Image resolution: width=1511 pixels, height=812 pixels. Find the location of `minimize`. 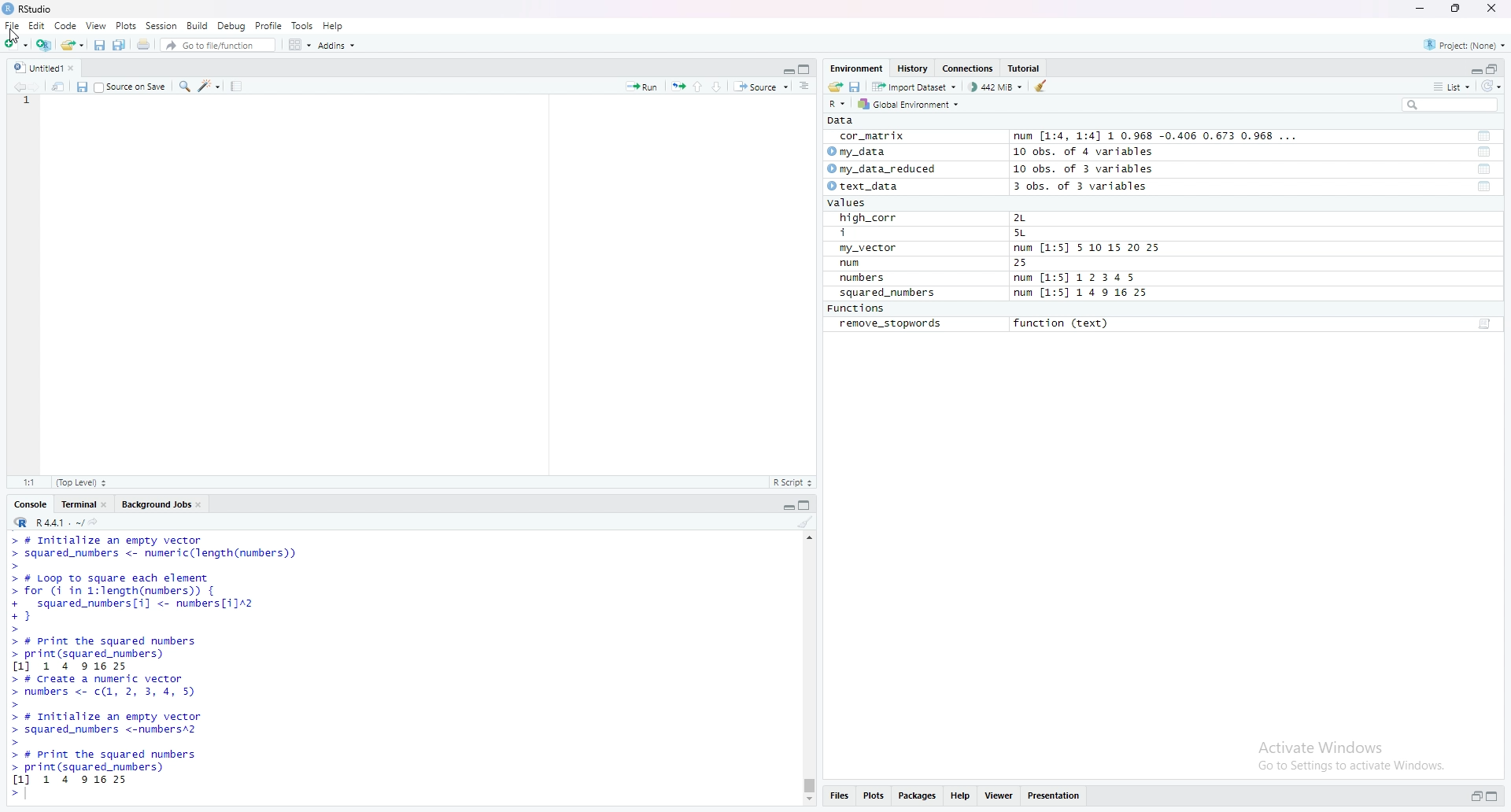

minimize is located at coordinates (1472, 798).